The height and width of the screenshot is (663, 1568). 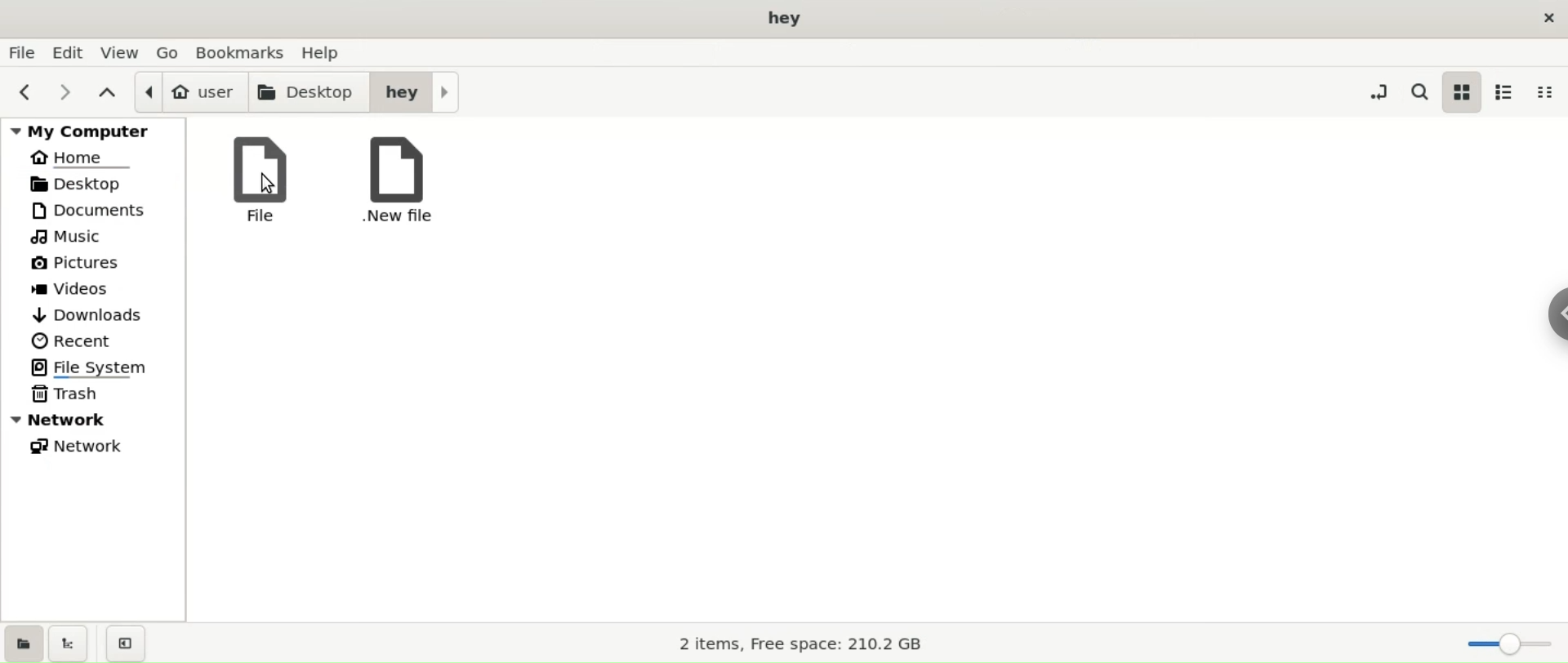 What do you see at coordinates (1502, 643) in the screenshot?
I see `zoom` at bounding box center [1502, 643].